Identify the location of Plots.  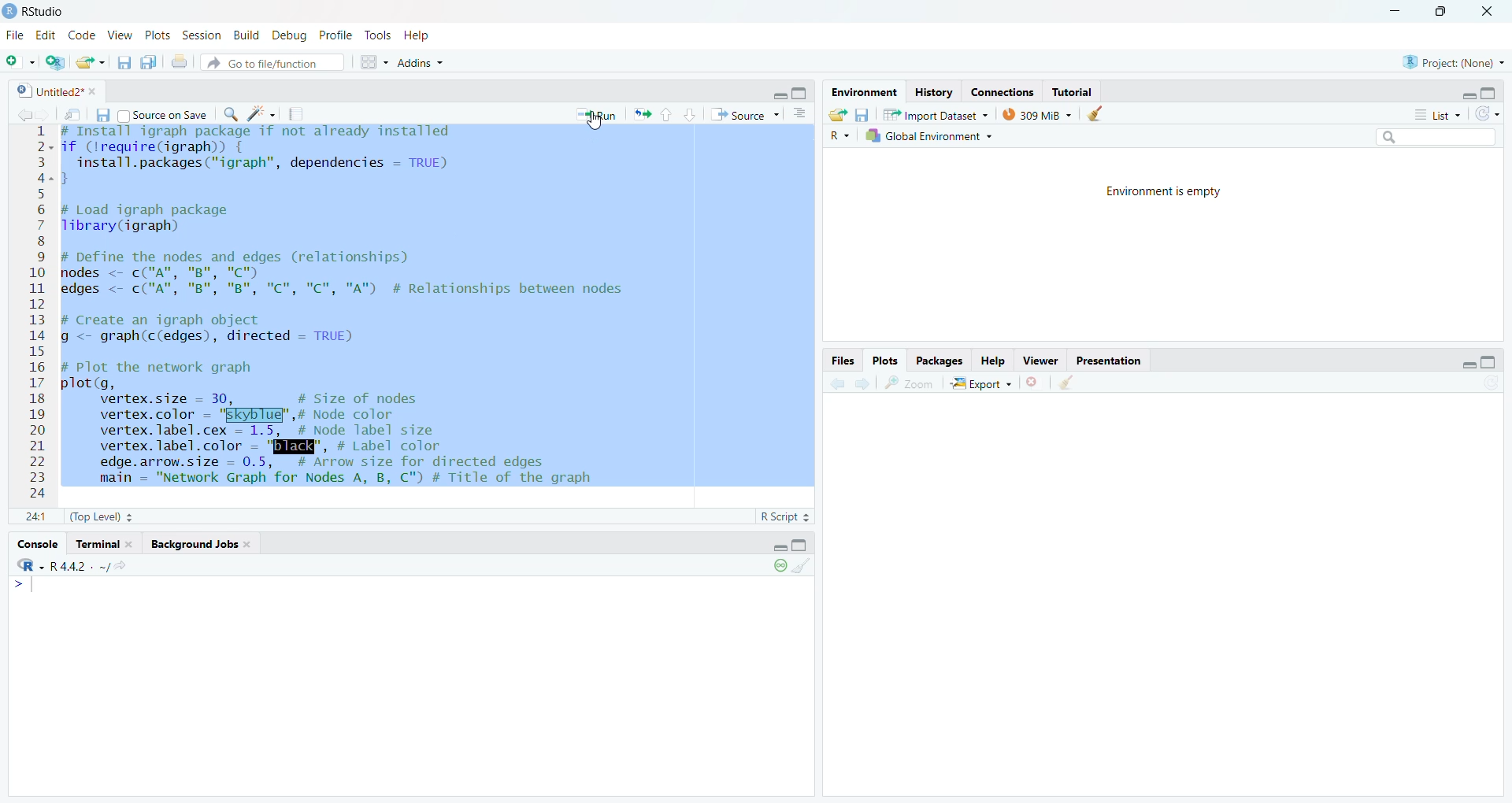
(155, 35).